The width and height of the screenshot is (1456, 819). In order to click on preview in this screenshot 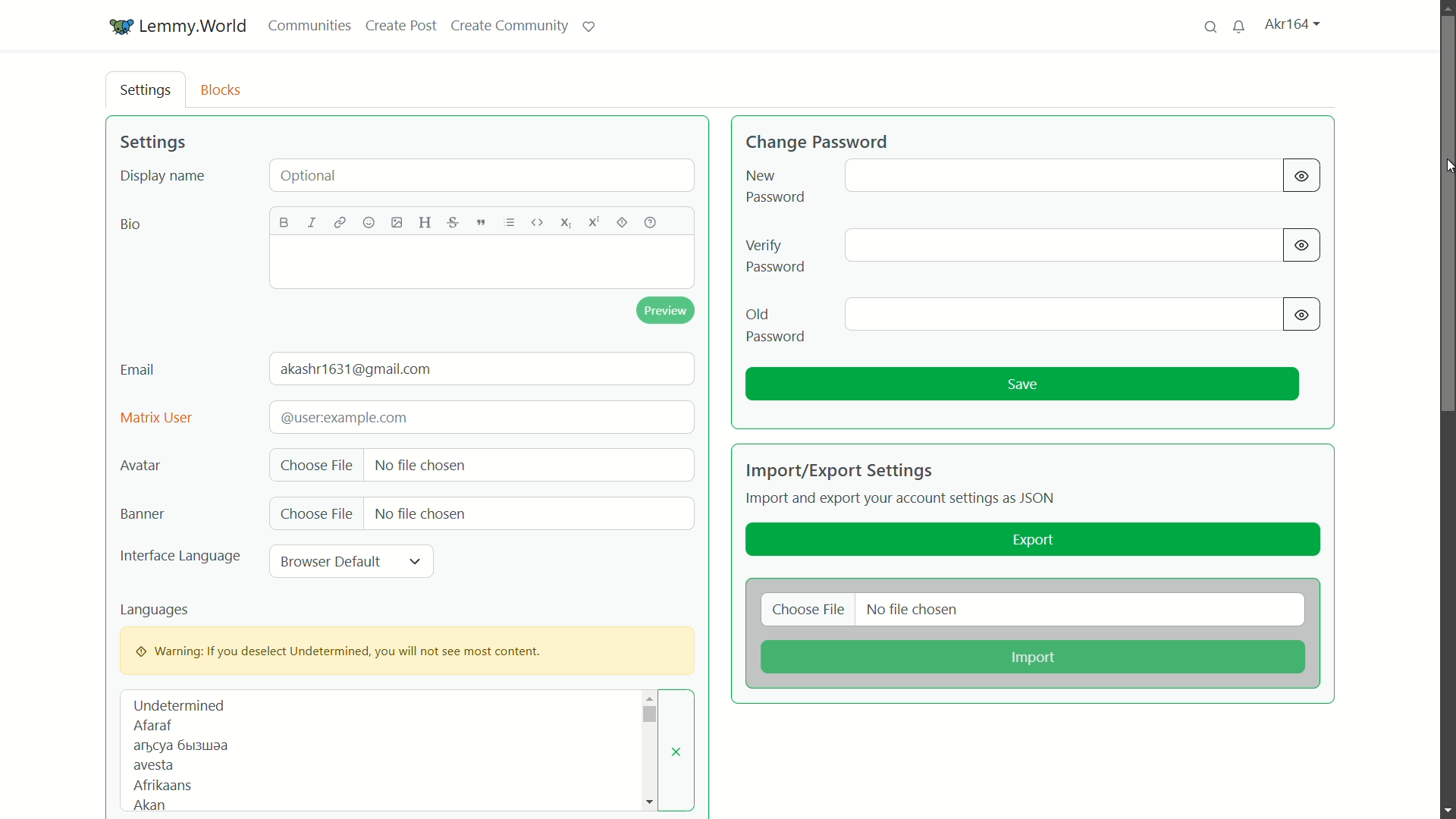, I will do `click(667, 310)`.